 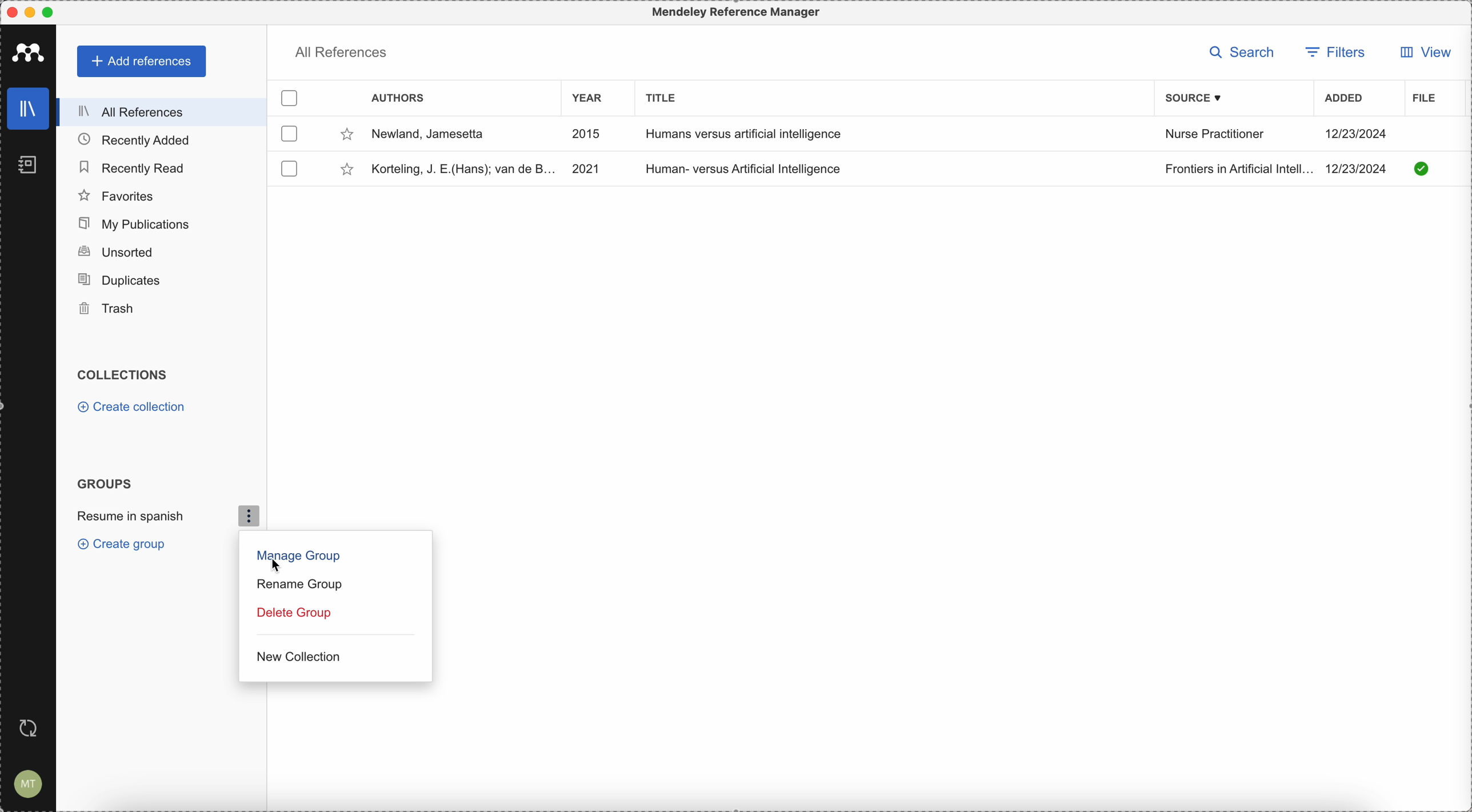 What do you see at coordinates (131, 407) in the screenshot?
I see `create collection` at bounding box center [131, 407].